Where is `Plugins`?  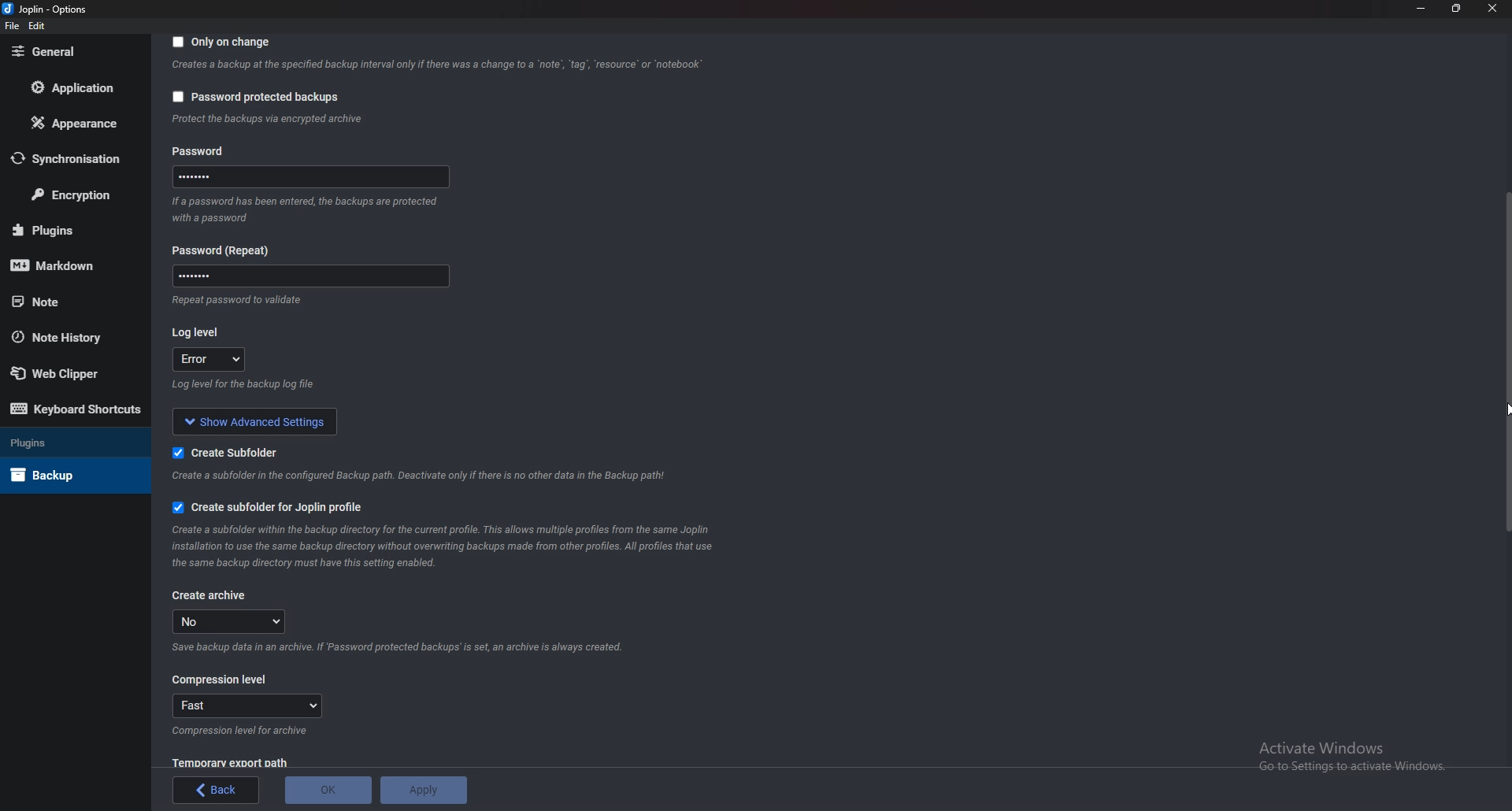
Plugins is located at coordinates (67, 444).